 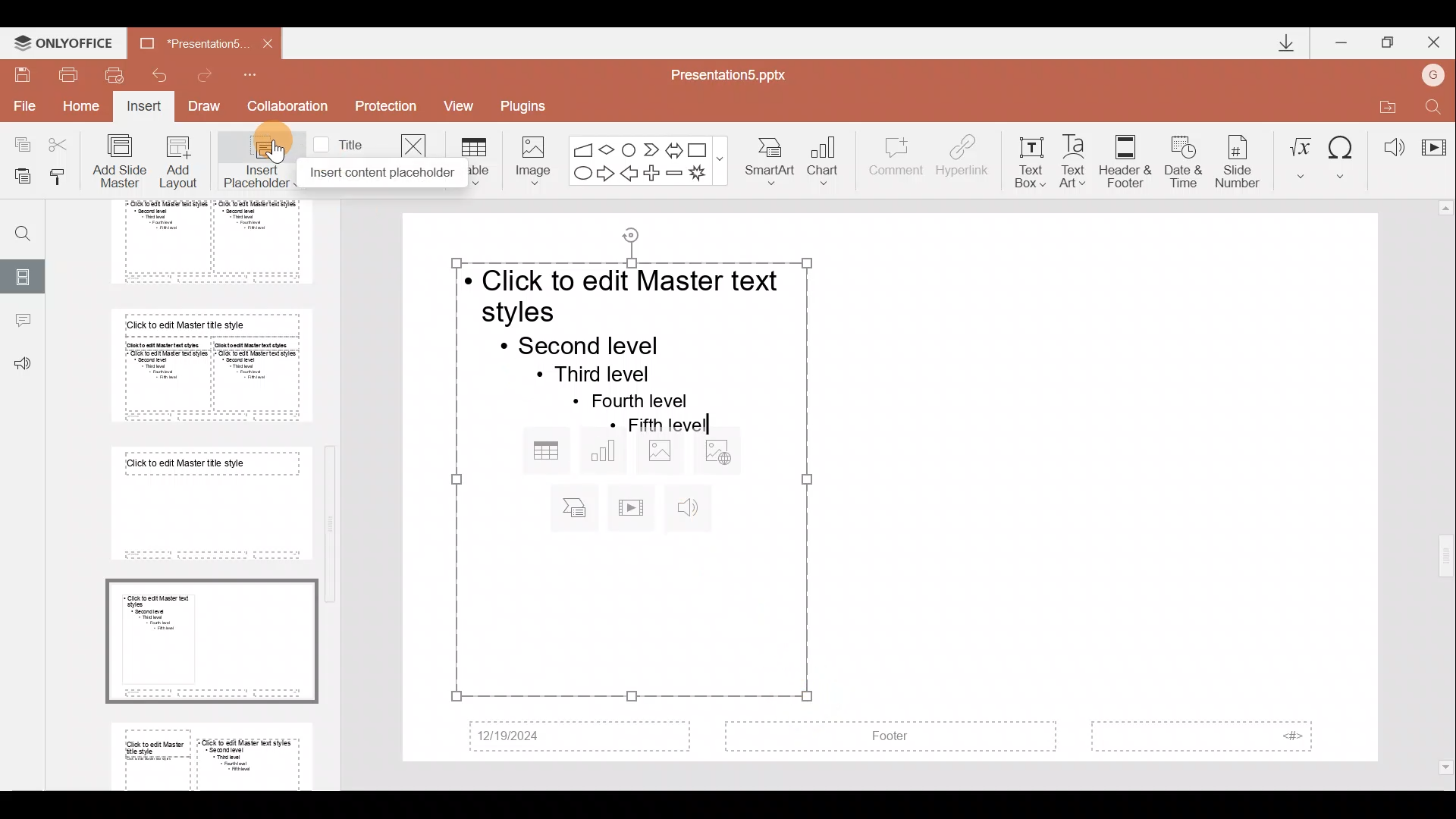 I want to click on Add layout, so click(x=179, y=165).